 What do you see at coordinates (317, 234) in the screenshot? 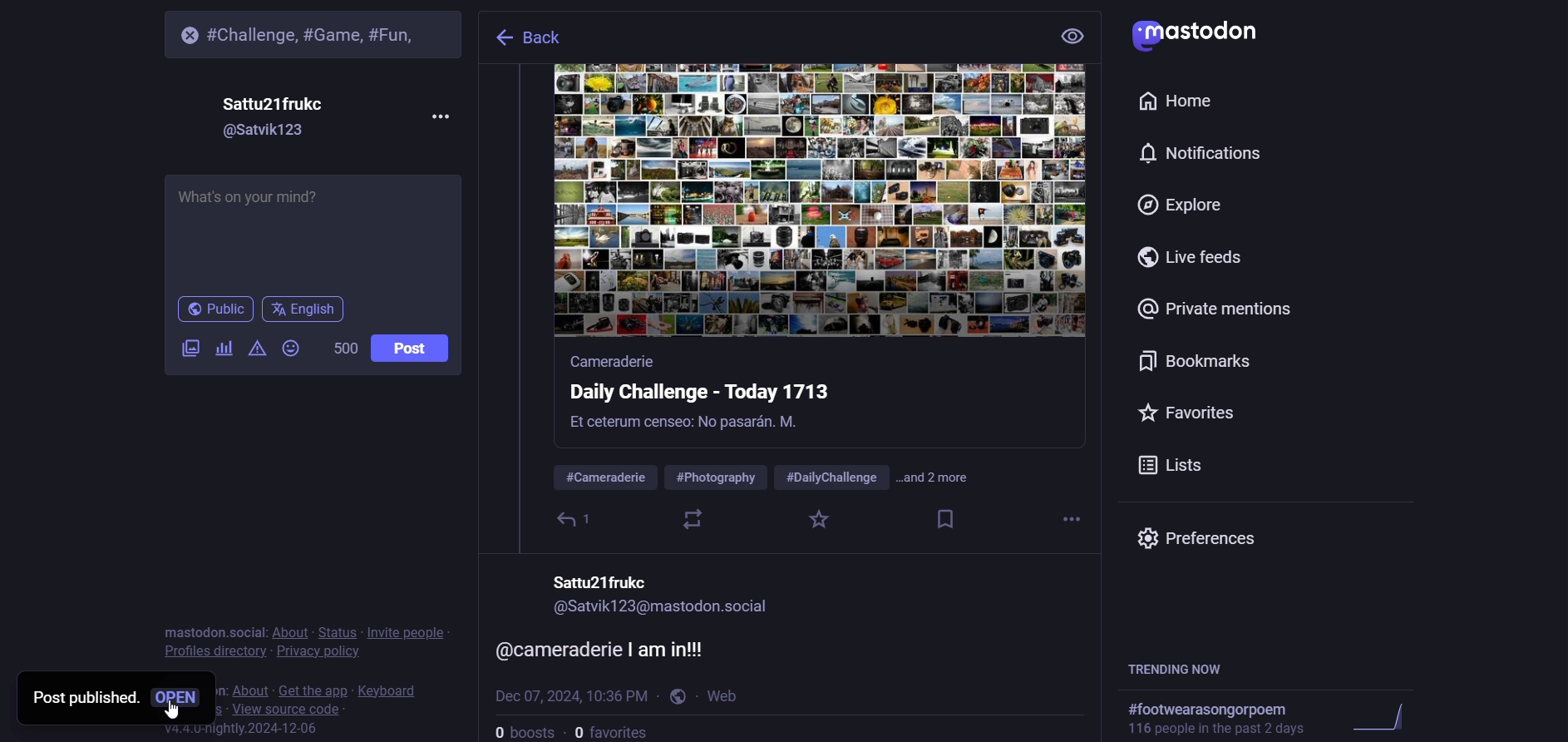
I see `What's on your mind?` at bounding box center [317, 234].